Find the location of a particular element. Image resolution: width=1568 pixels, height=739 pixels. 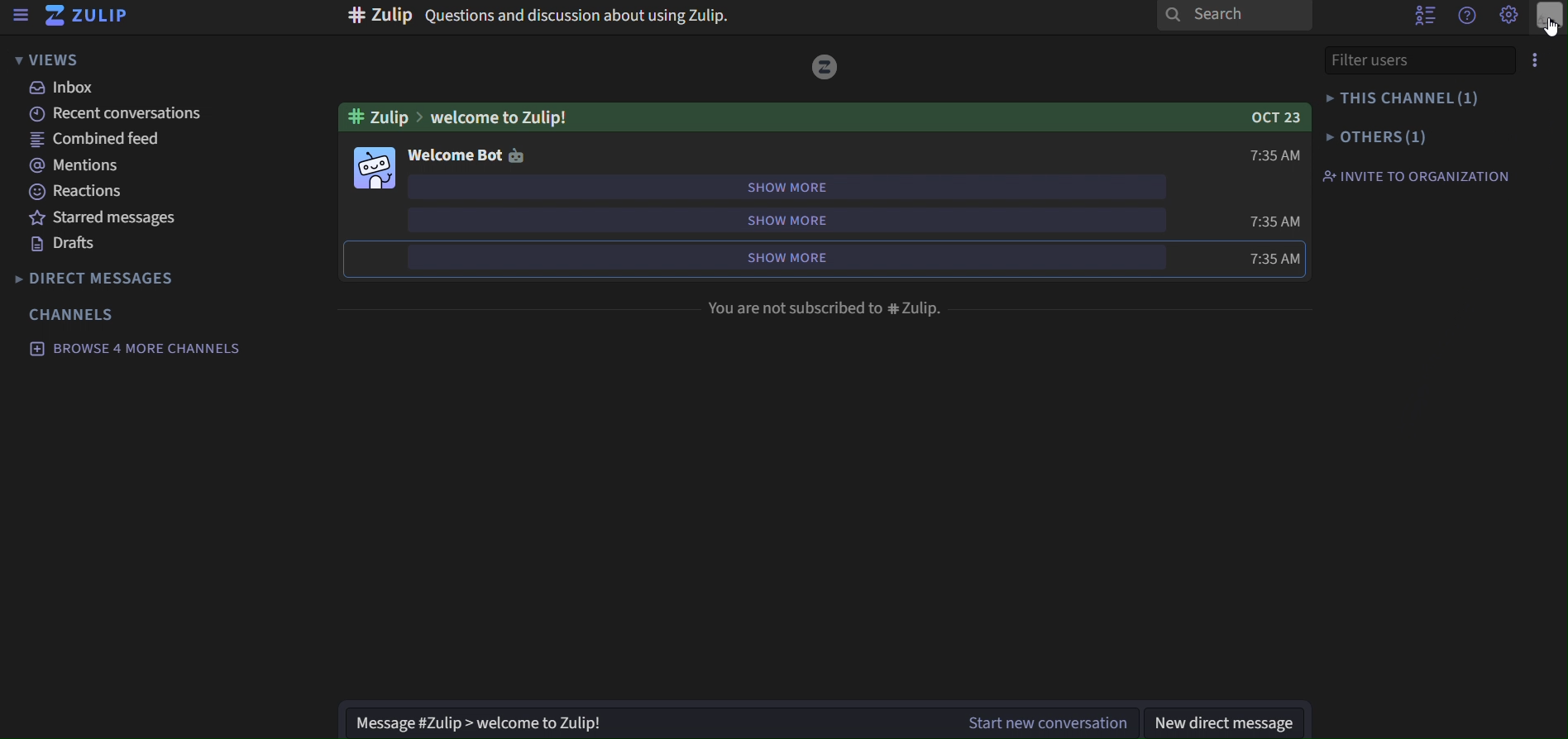

inbox is located at coordinates (126, 87).